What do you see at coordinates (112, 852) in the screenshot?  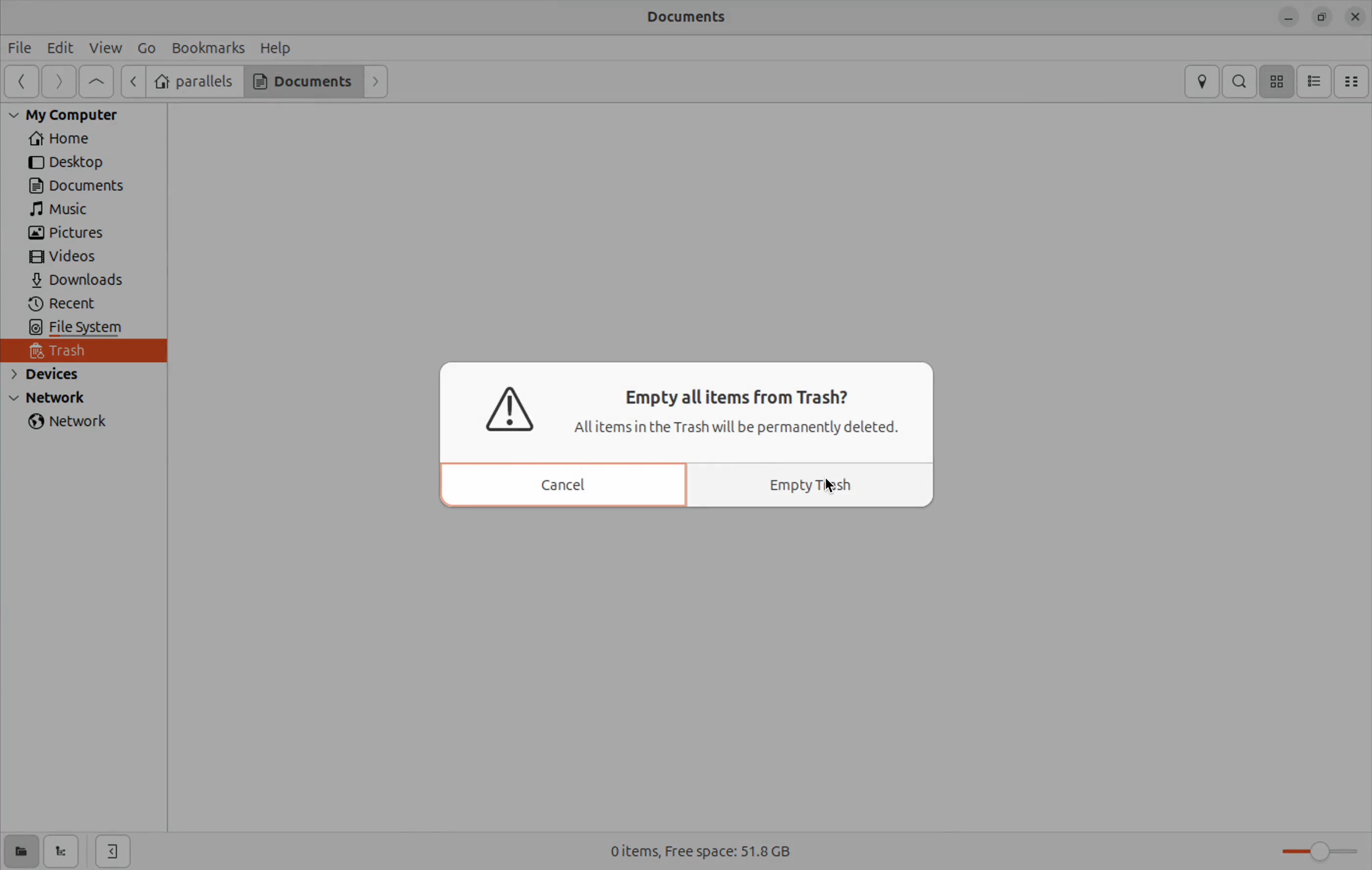 I see `hide side bar` at bounding box center [112, 852].